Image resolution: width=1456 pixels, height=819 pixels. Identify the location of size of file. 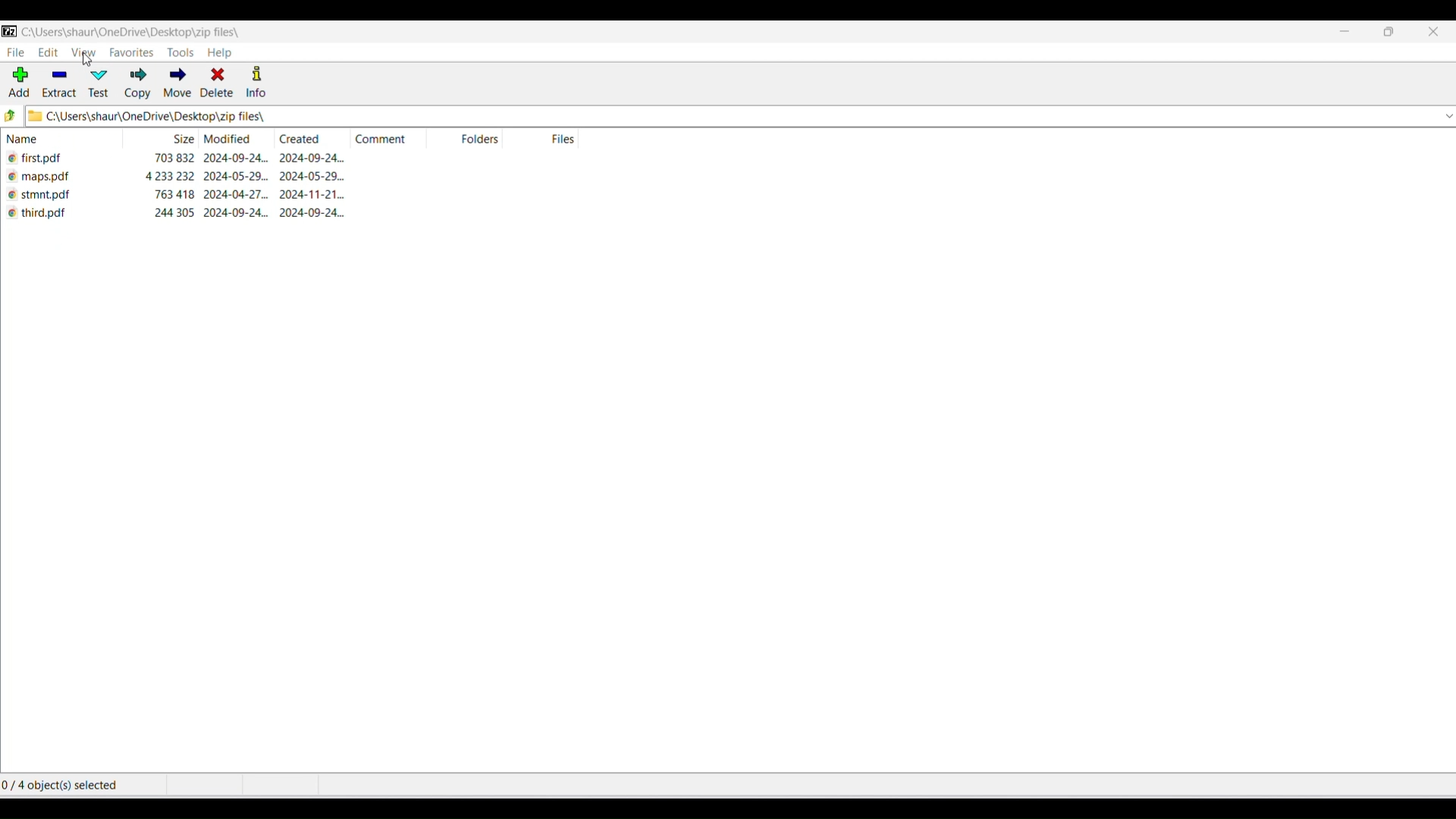
(174, 194).